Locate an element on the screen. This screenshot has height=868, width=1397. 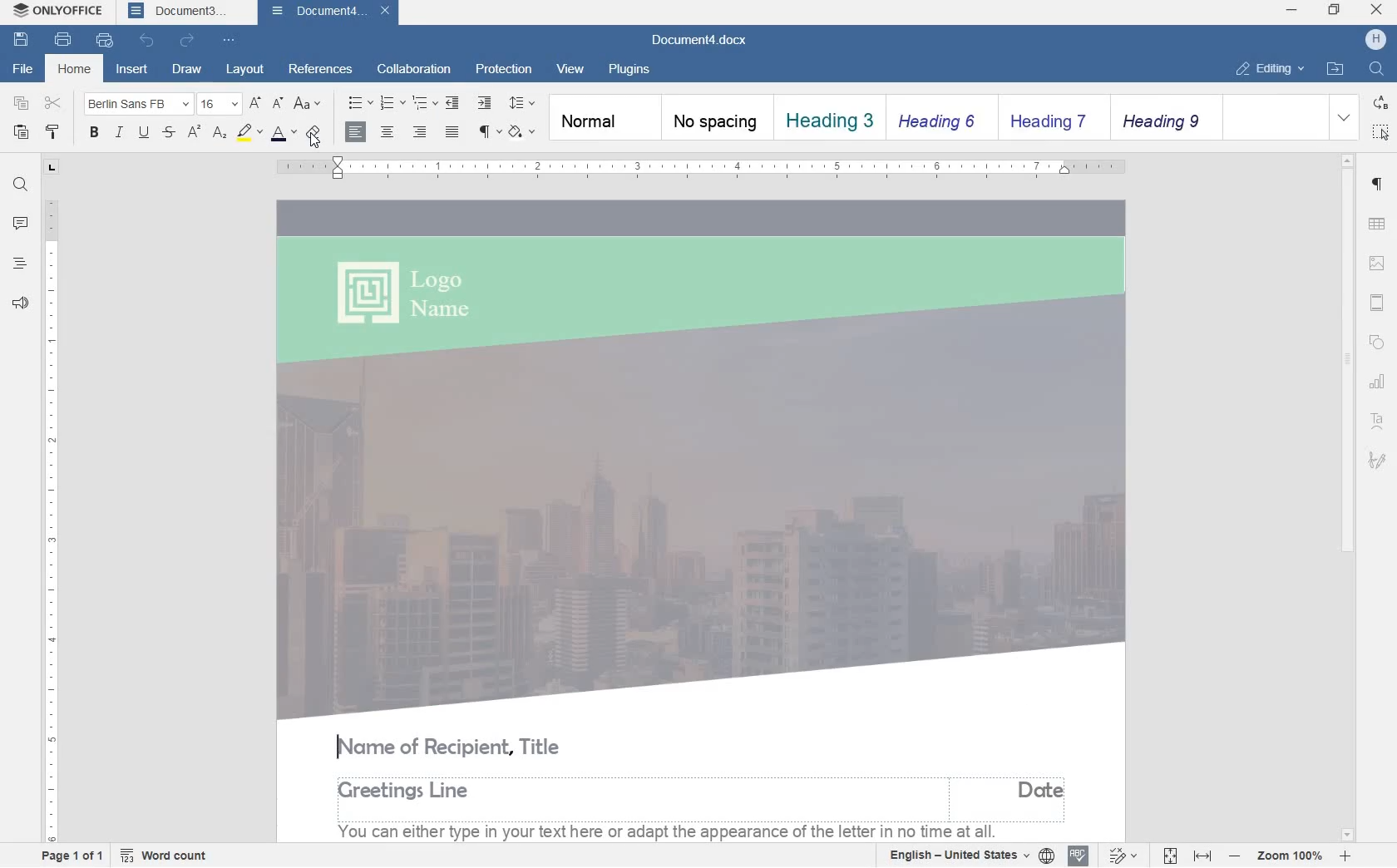
font name is located at coordinates (136, 104).